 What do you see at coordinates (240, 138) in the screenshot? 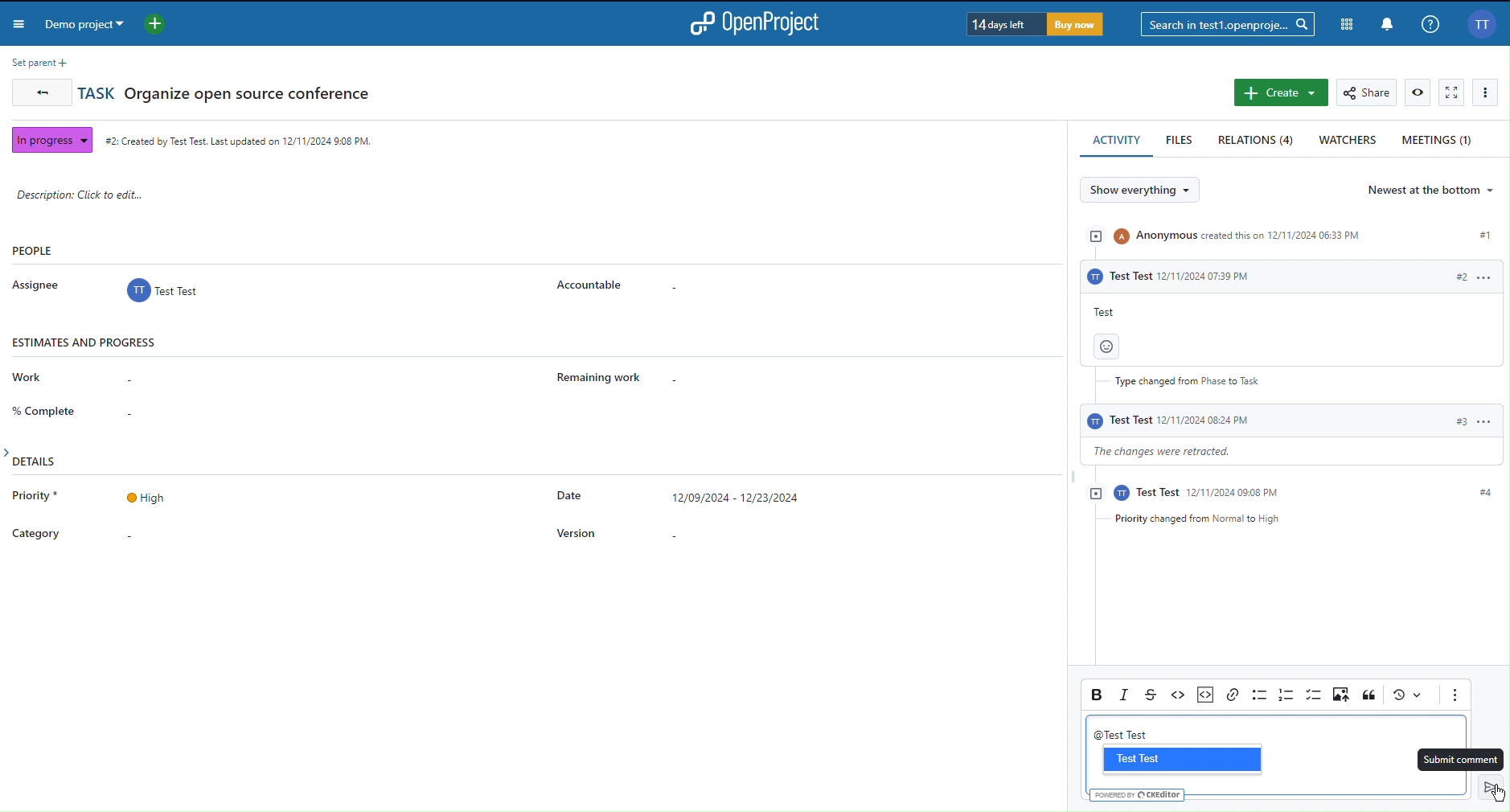
I see `Created date` at bounding box center [240, 138].